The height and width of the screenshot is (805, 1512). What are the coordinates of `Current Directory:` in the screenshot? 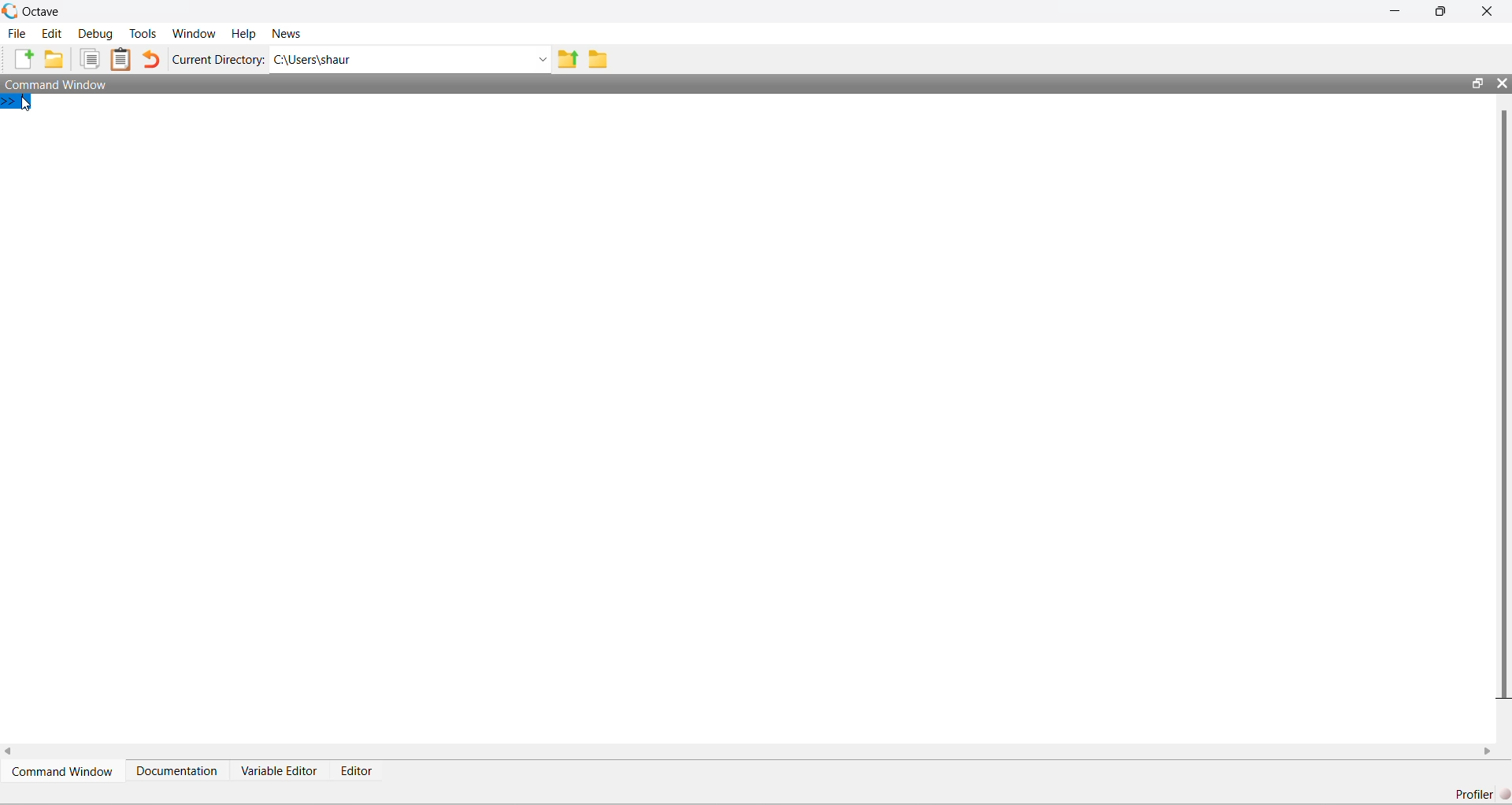 It's located at (218, 60).